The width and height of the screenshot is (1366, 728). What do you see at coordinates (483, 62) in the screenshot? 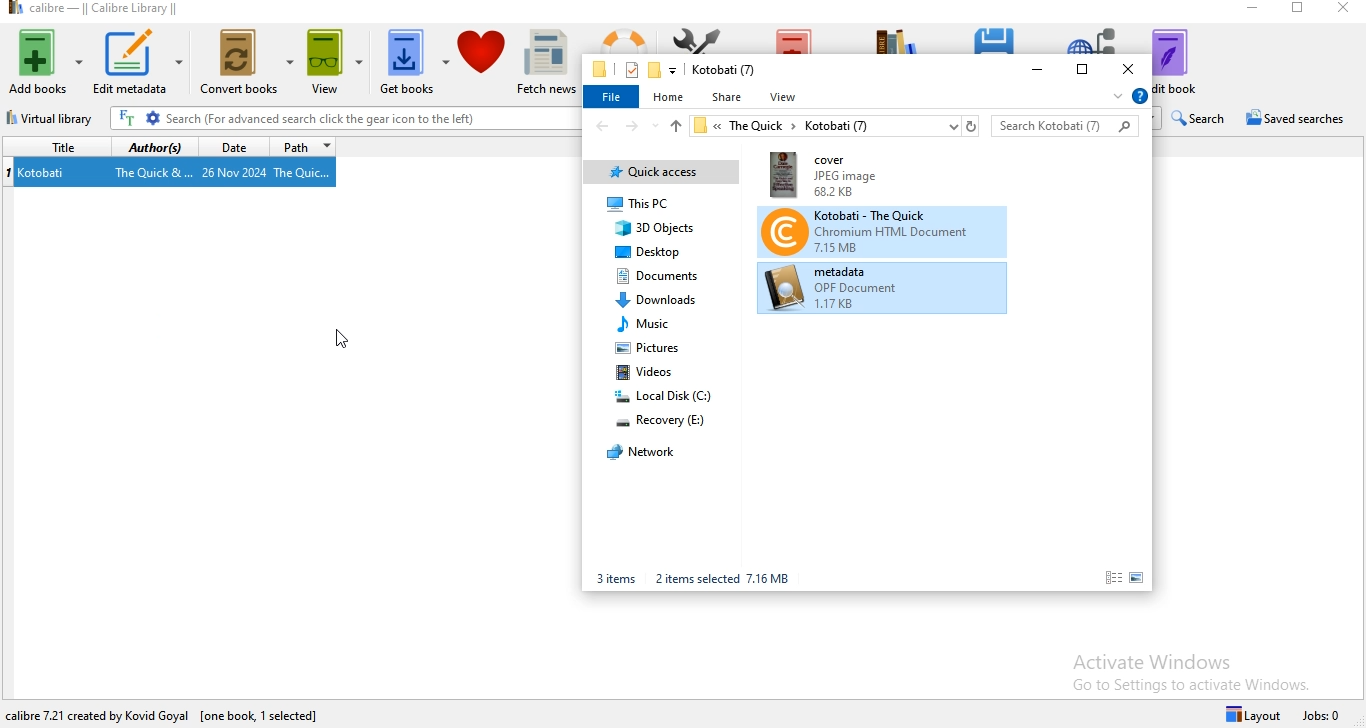
I see `donate to calibre` at bounding box center [483, 62].